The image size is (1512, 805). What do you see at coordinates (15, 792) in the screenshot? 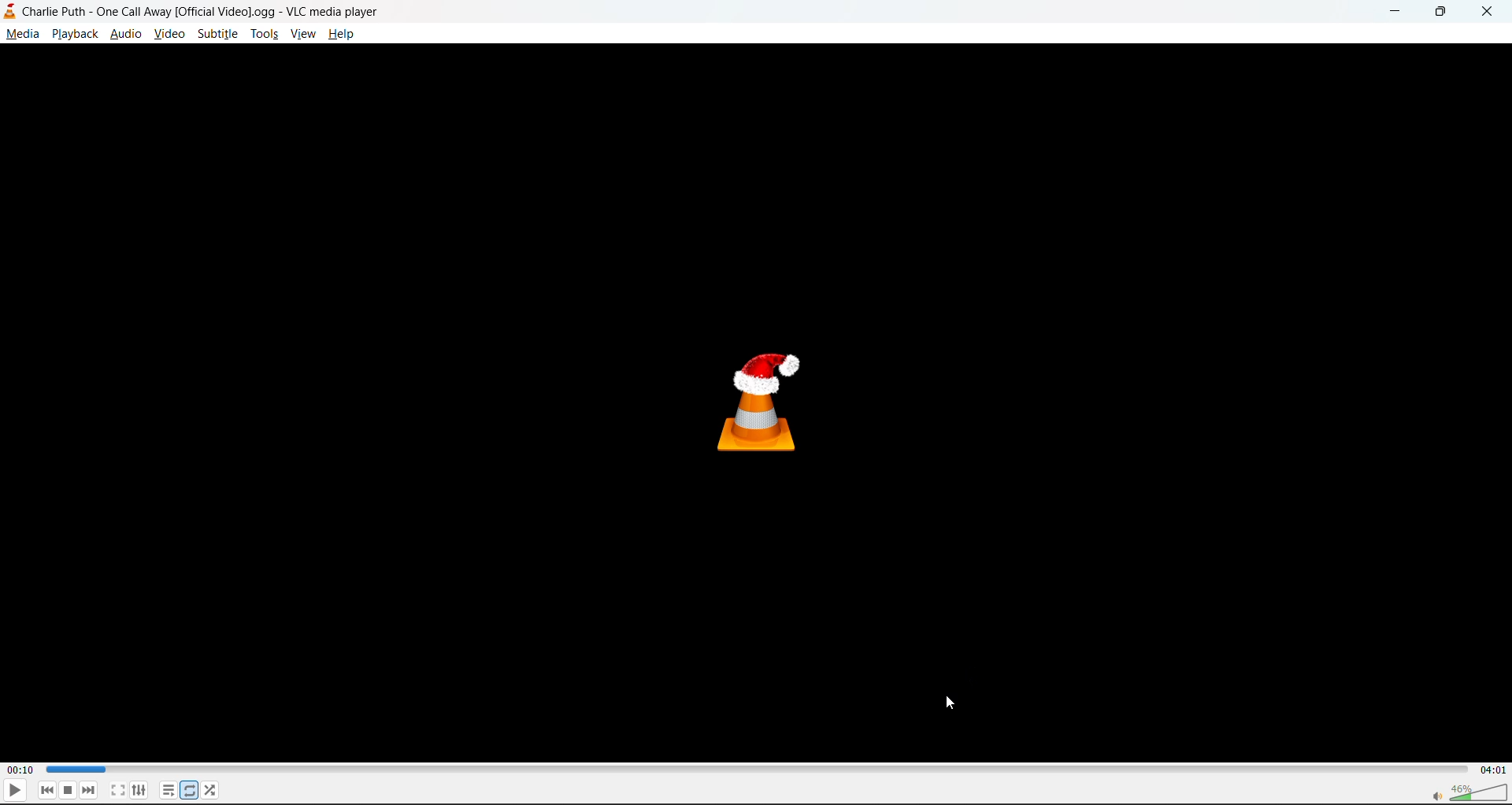
I see `play` at bounding box center [15, 792].